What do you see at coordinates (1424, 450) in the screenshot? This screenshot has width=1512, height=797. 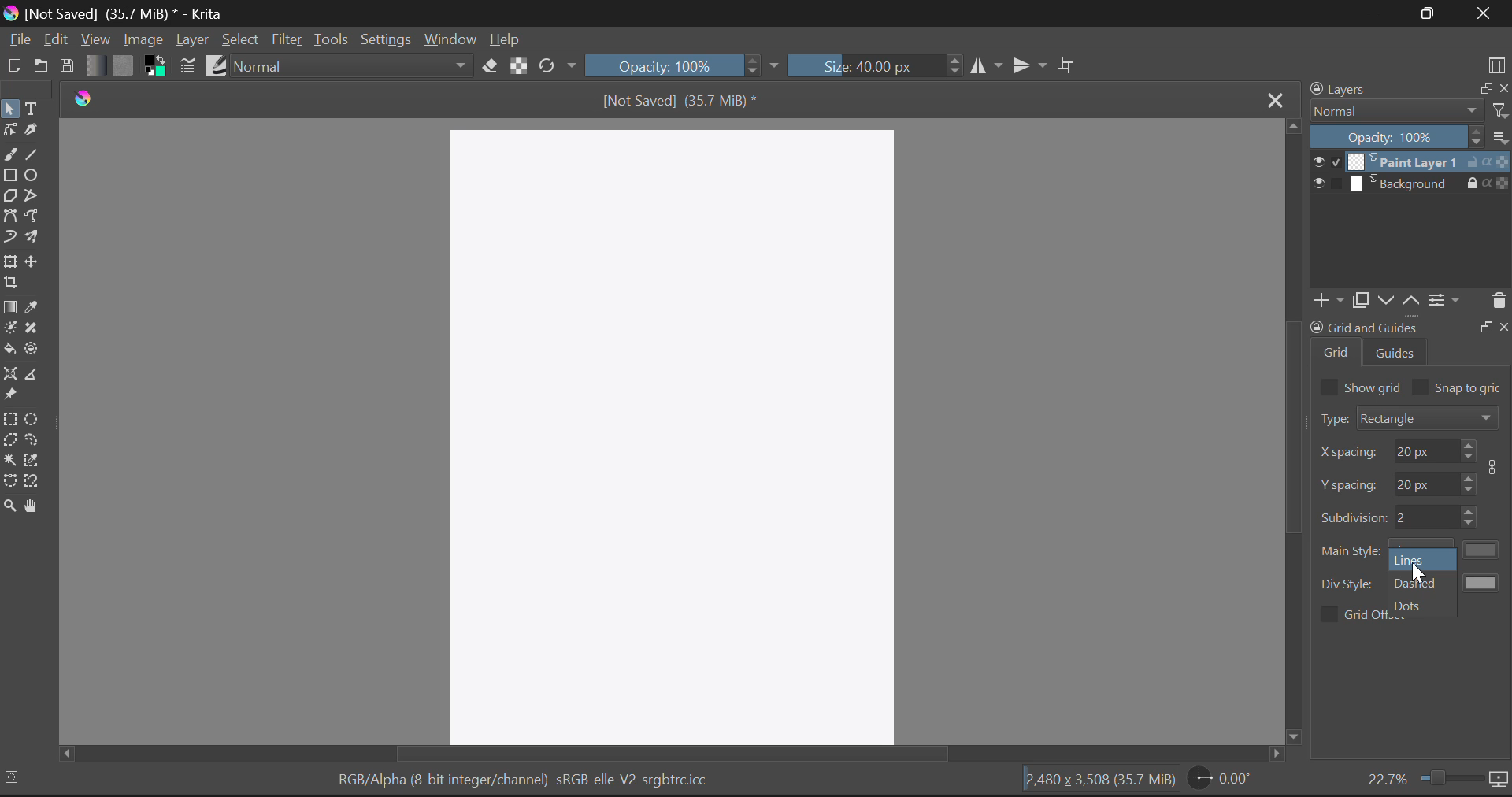 I see `spacing x` at bounding box center [1424, 450].